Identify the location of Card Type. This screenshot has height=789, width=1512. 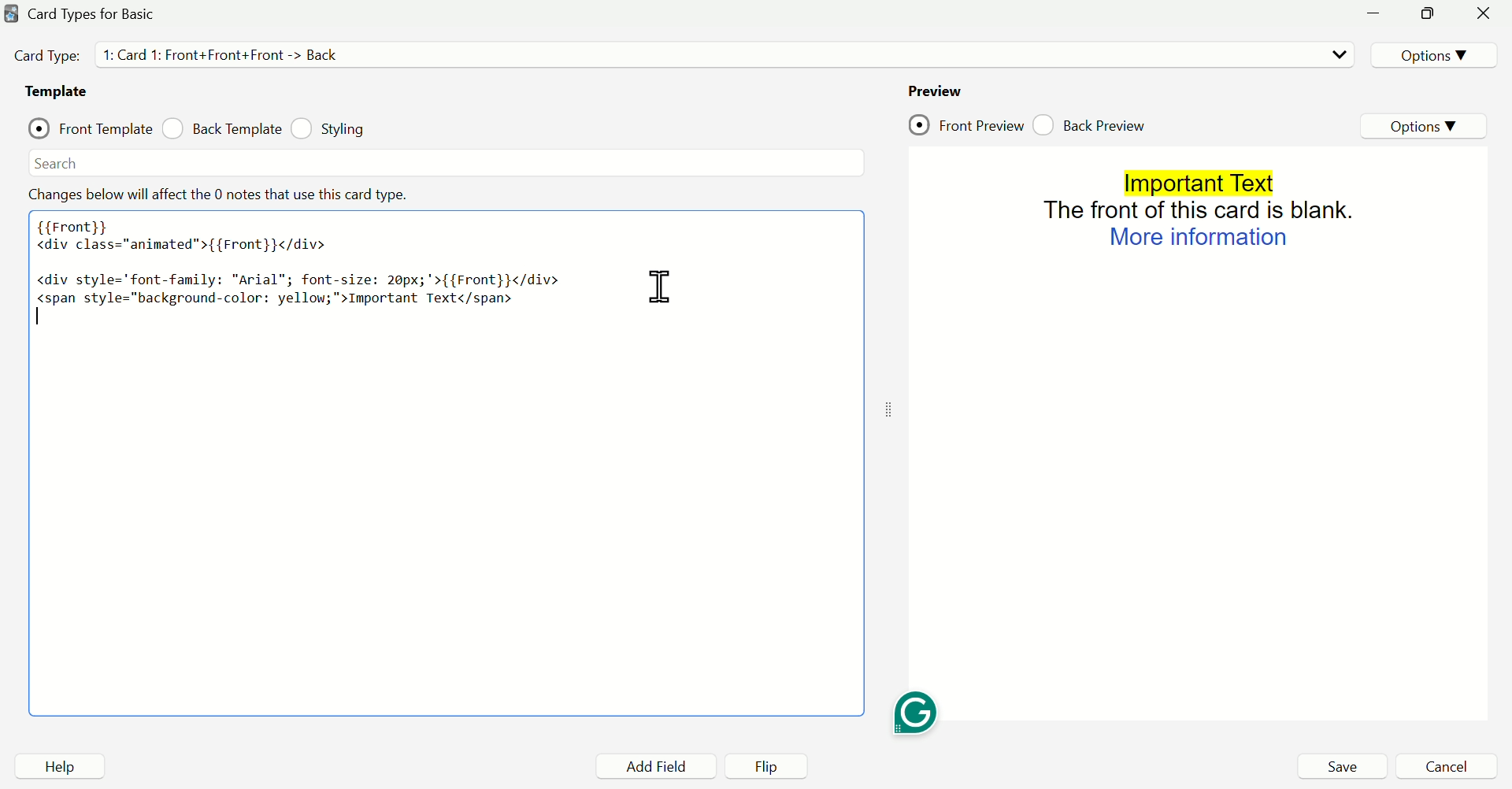
(48, 55).